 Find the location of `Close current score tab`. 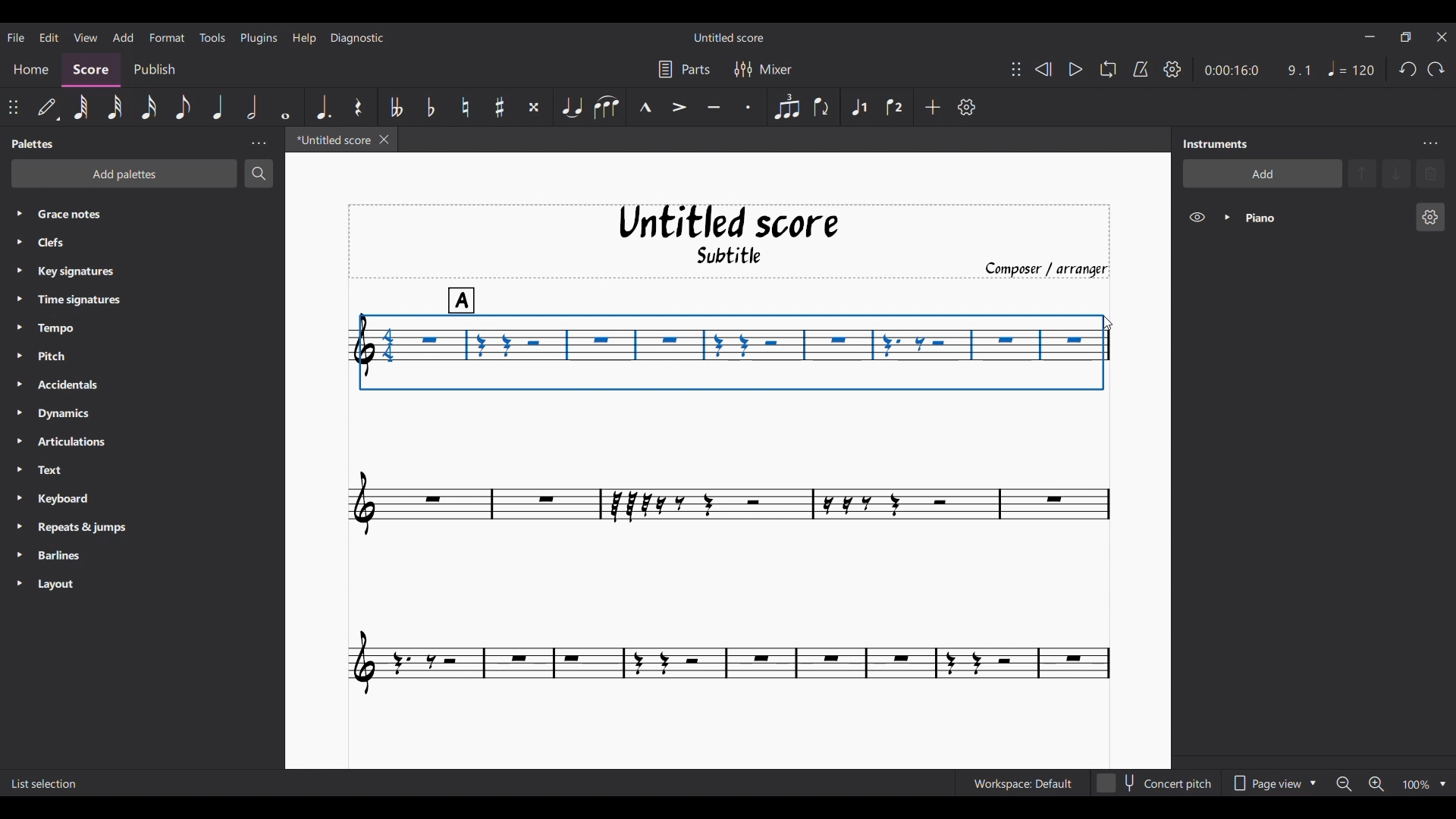

Close current score tab is located at coordinates (384, 140).